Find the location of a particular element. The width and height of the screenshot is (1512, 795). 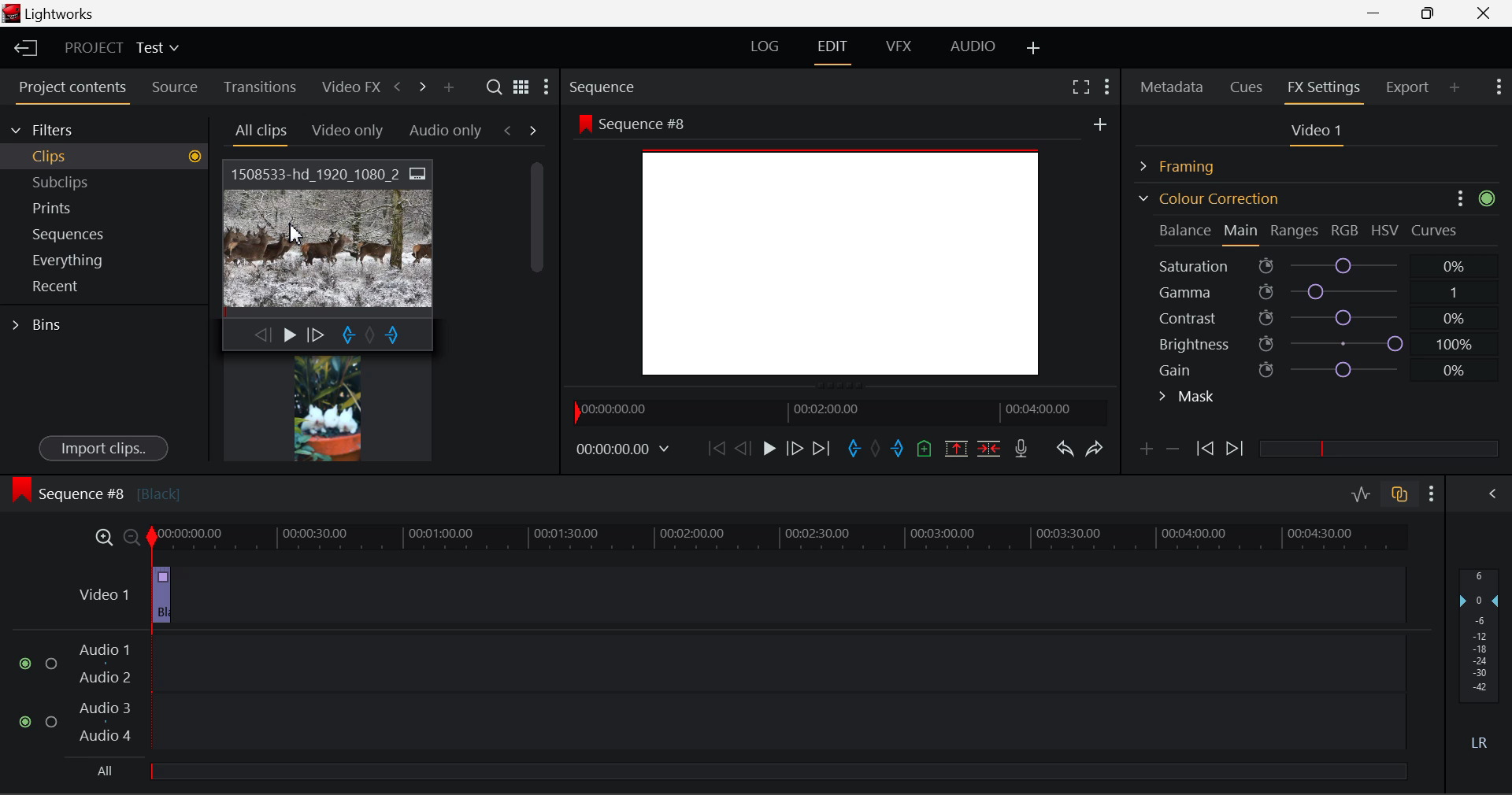

Previous keyframe is located at coordinates (1203, 449).